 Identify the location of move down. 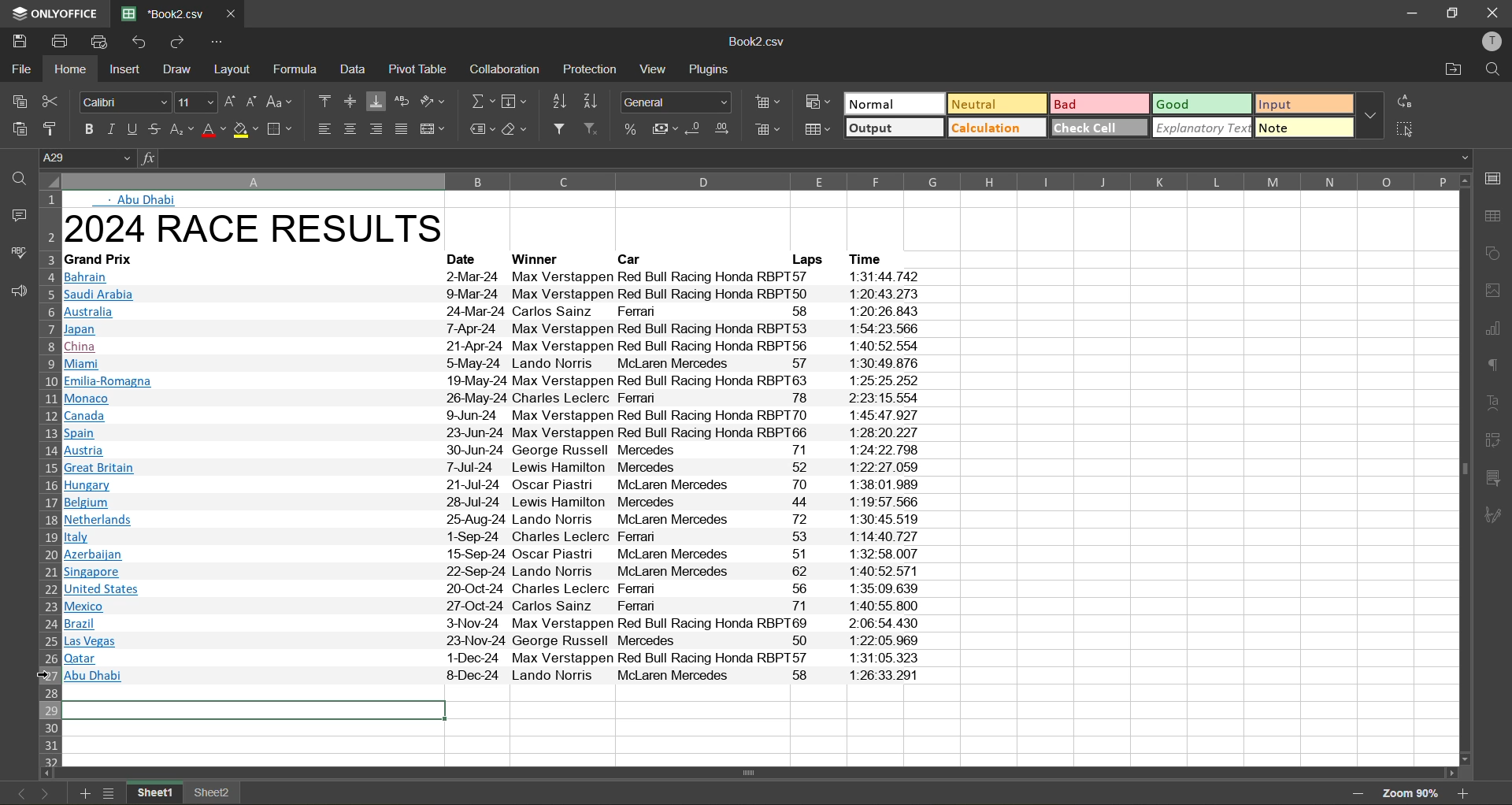
(1461, 759).